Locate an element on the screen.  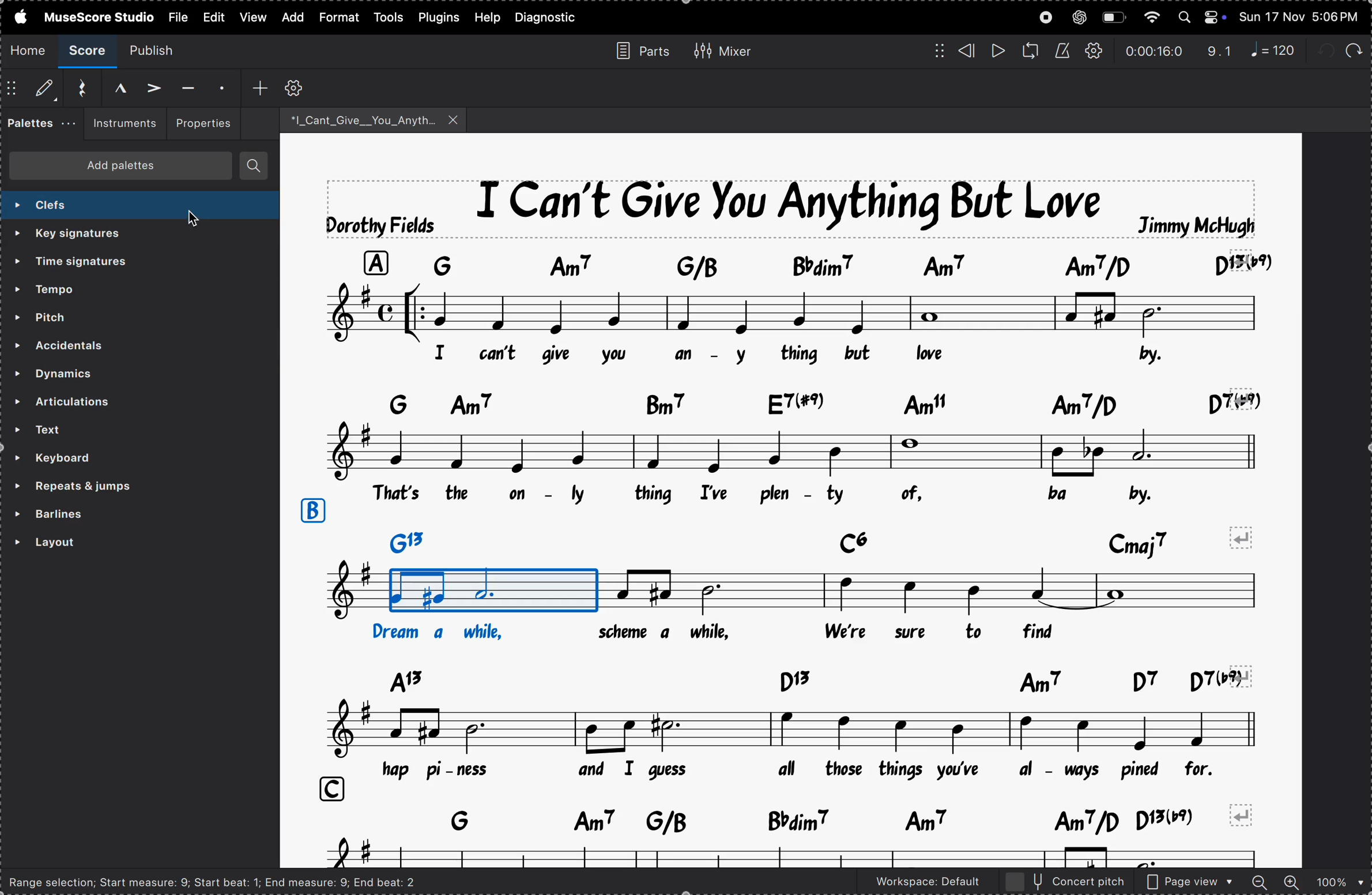
file is located at coordinates (177, 16).